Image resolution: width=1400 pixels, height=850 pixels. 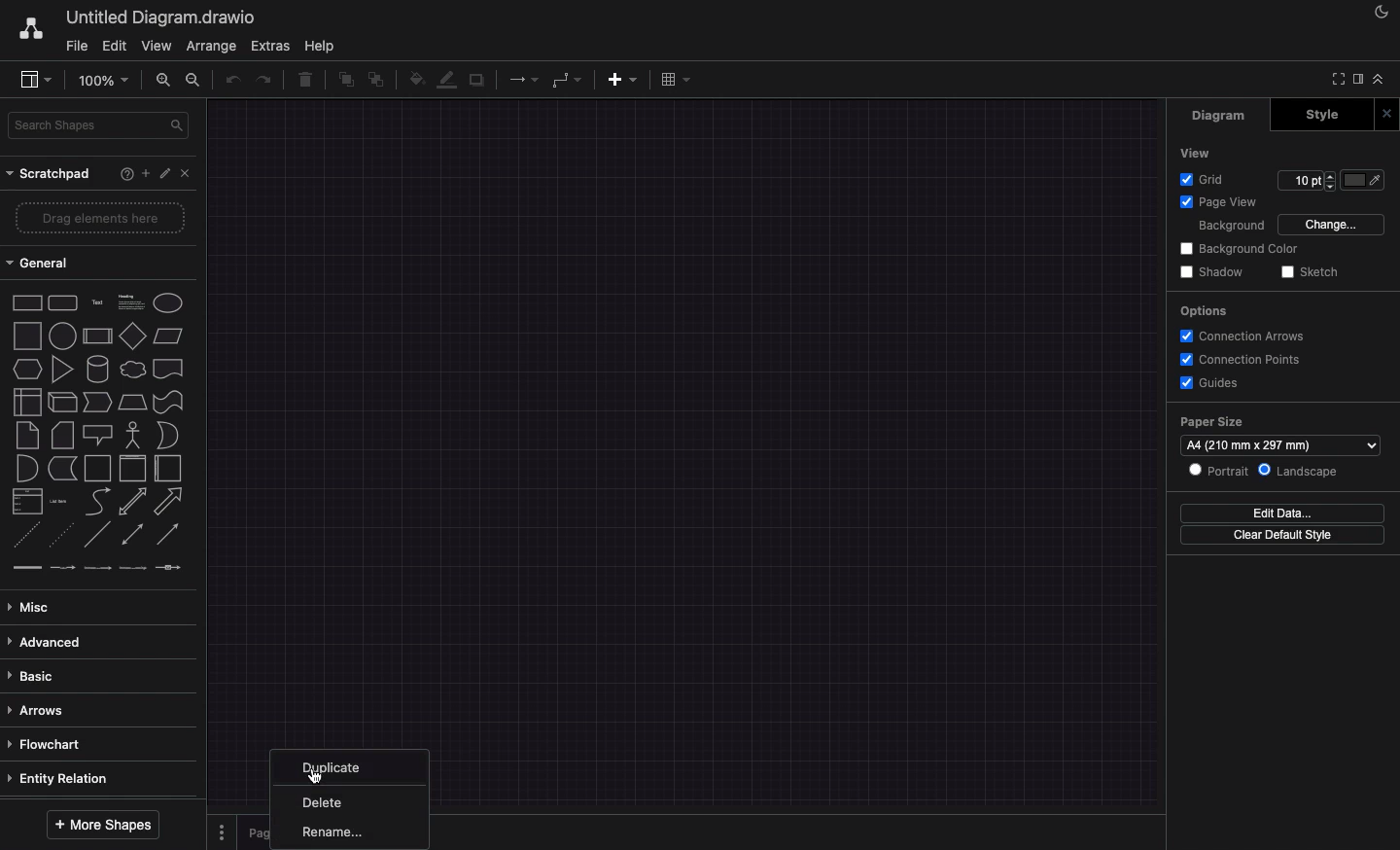 What do you see at coordinates (196, 81) in the screenshot?
I see `zoom out` at bounding box center [196, 81].